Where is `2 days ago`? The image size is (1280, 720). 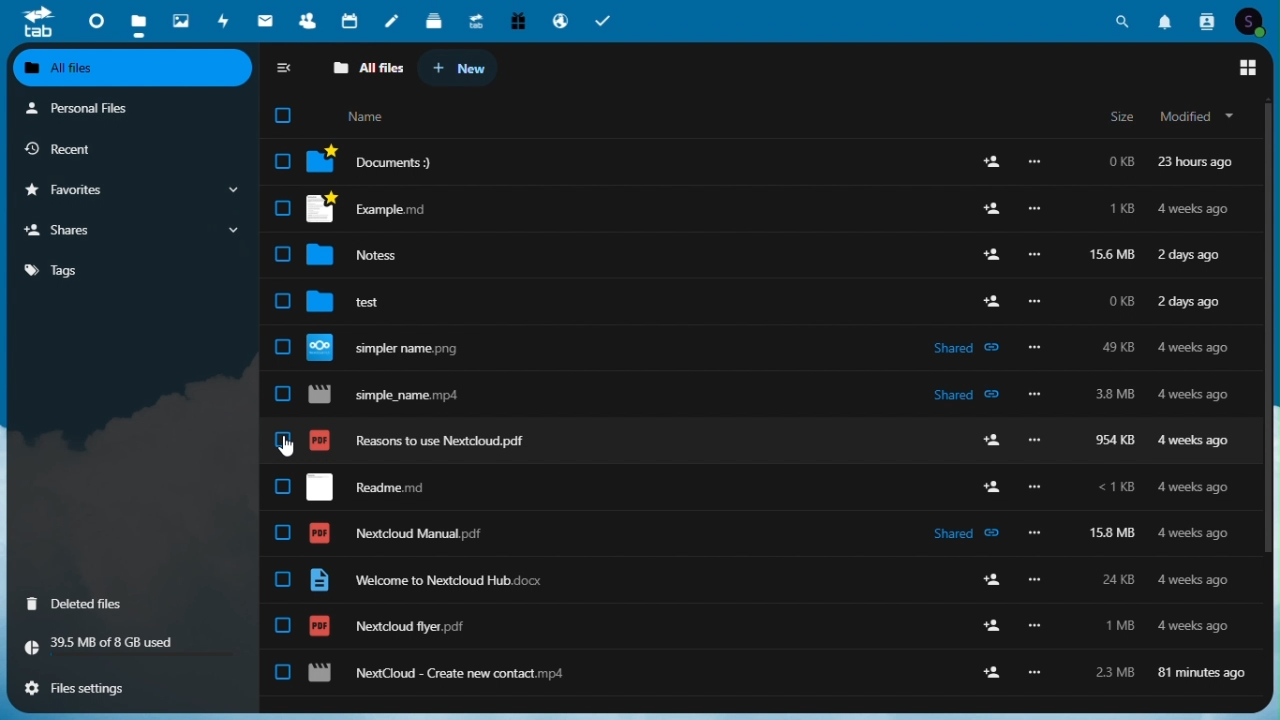
2 days ago is located at coordinates (1192, 304).